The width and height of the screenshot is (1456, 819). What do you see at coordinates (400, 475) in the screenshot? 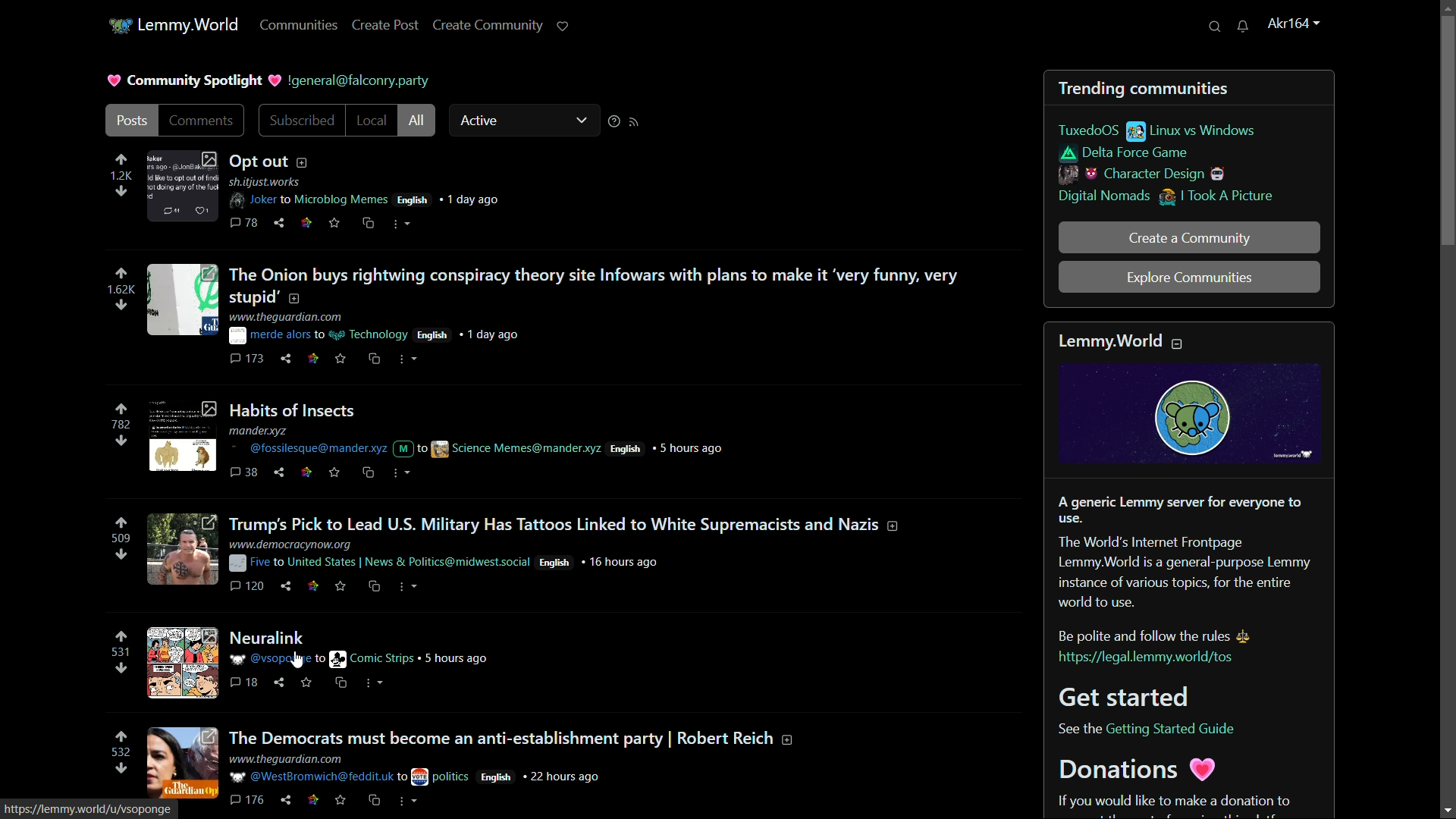
I see `more` at bounding box center [400, 475].